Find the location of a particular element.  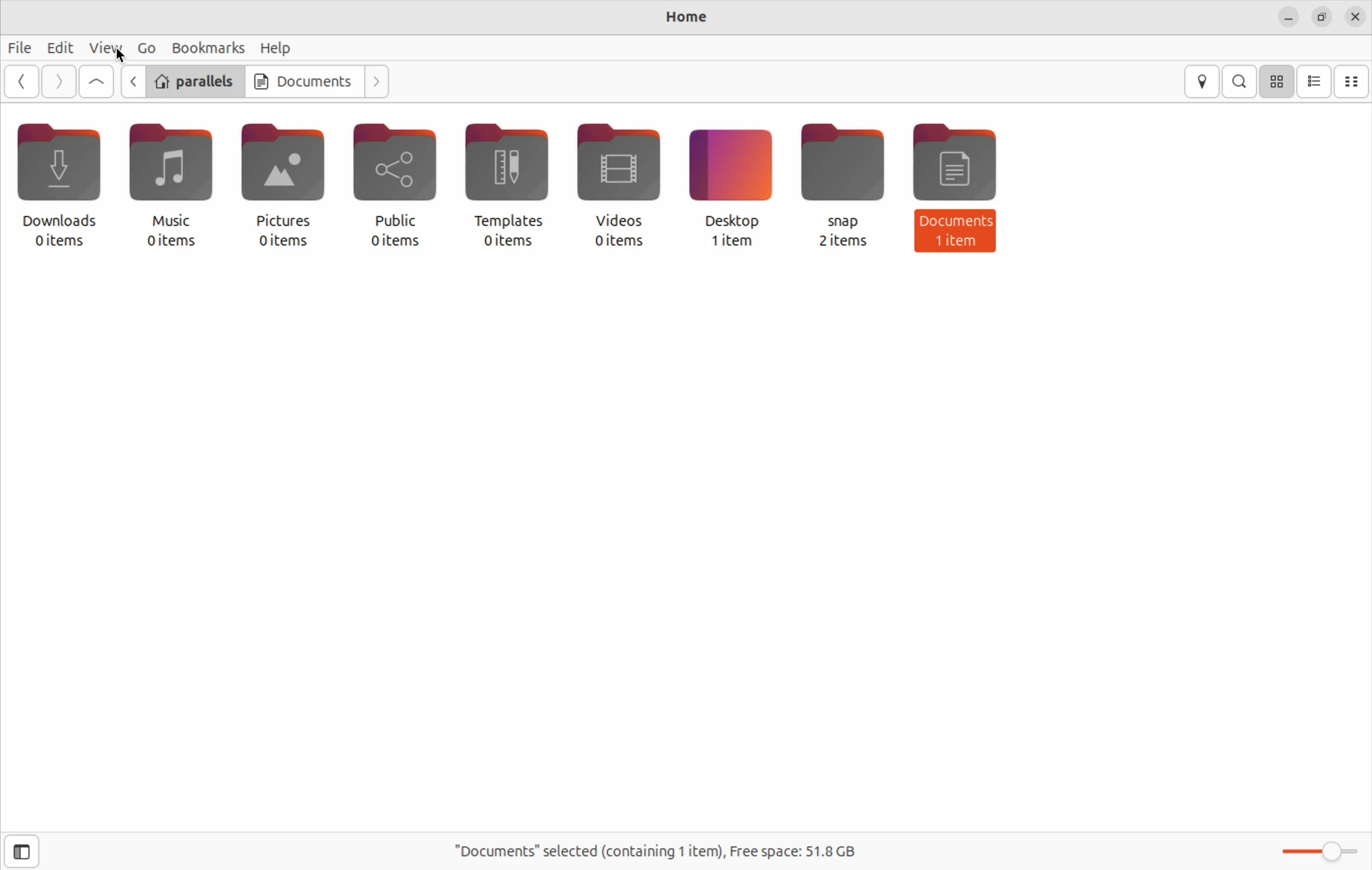

Picture is located at coordinates (287, 172).